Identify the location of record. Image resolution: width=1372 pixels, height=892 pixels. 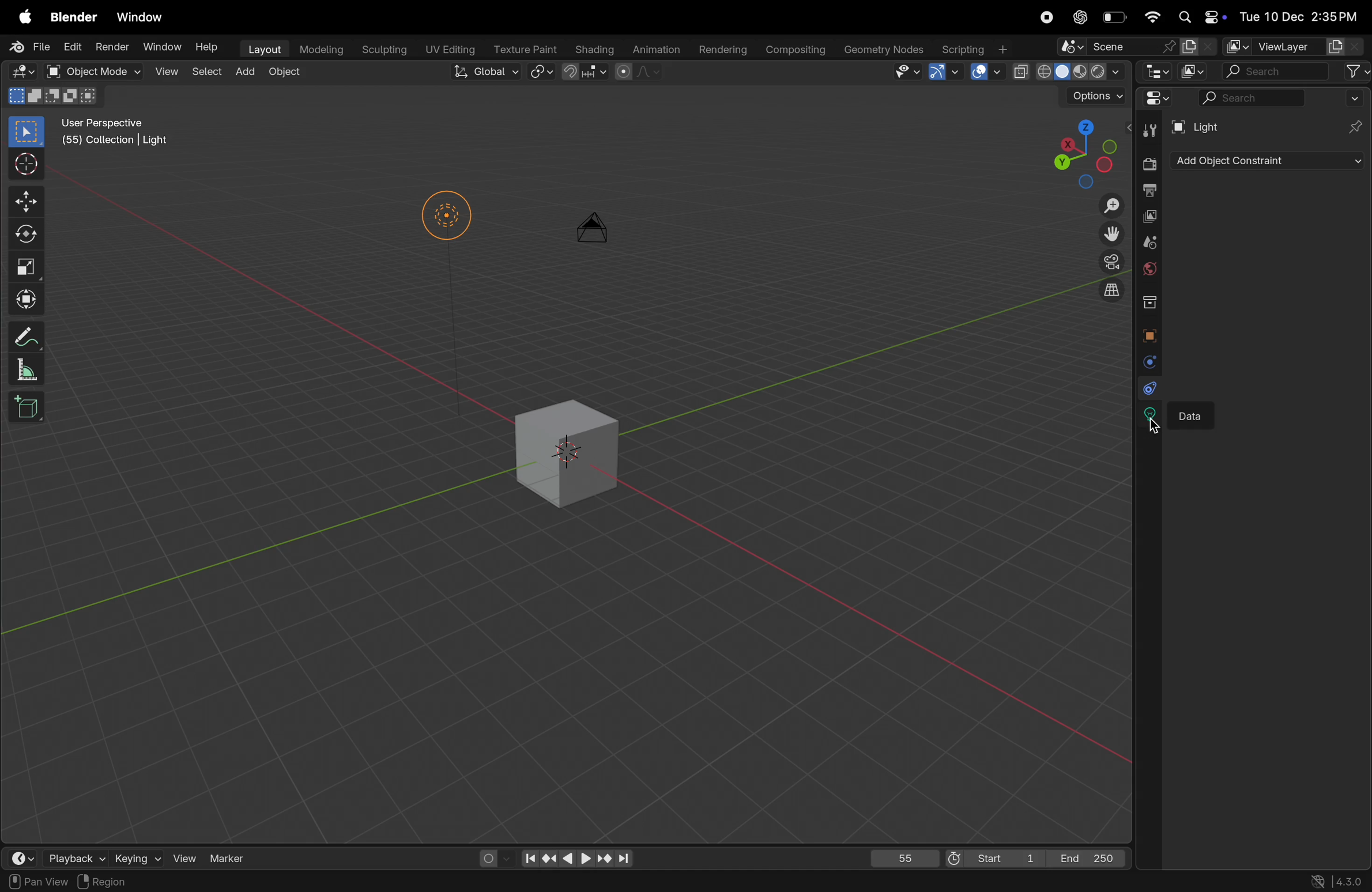
(1046, 17).